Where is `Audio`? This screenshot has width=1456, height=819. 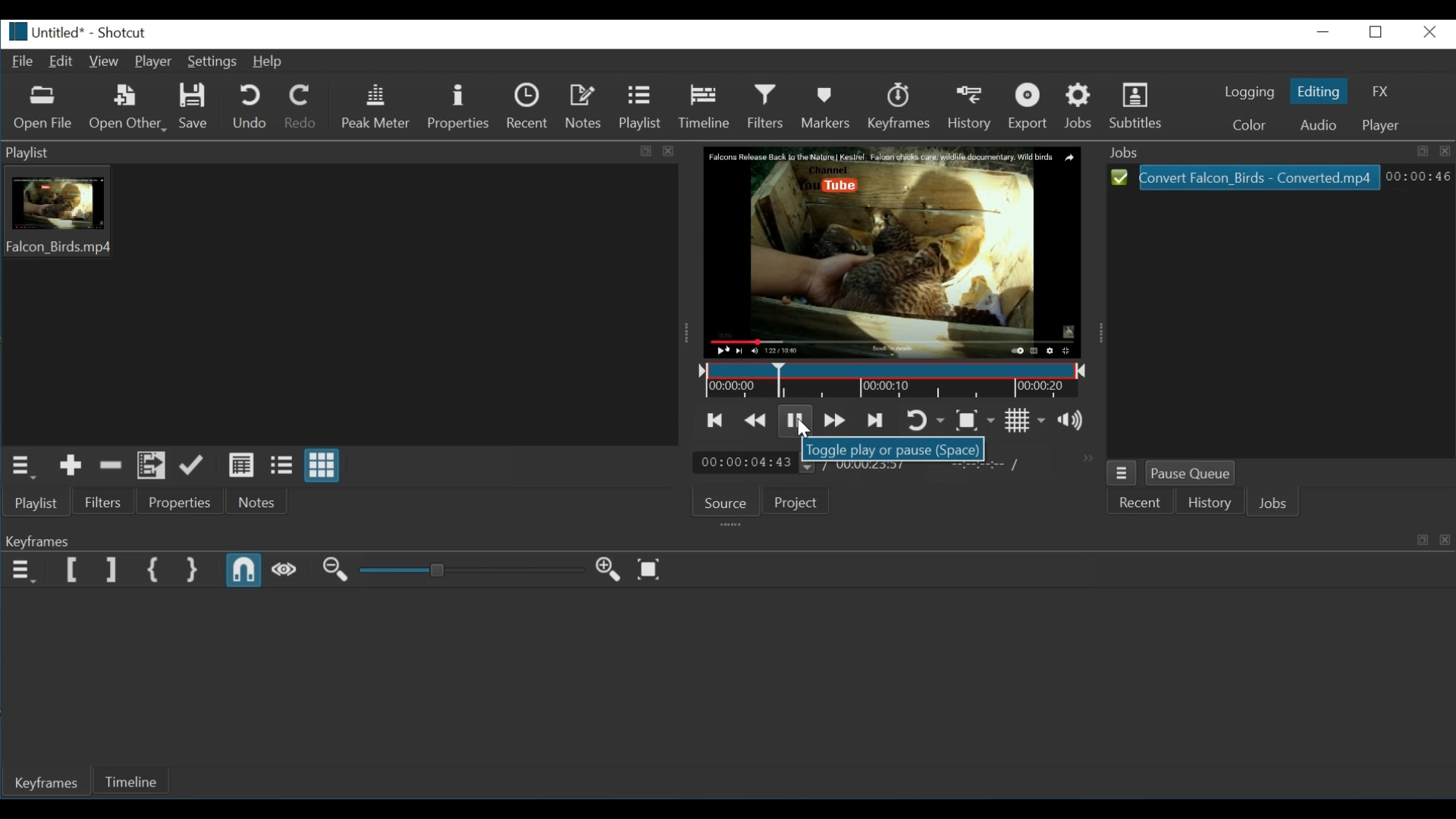
Audio is located at coordinates (1317, 124).